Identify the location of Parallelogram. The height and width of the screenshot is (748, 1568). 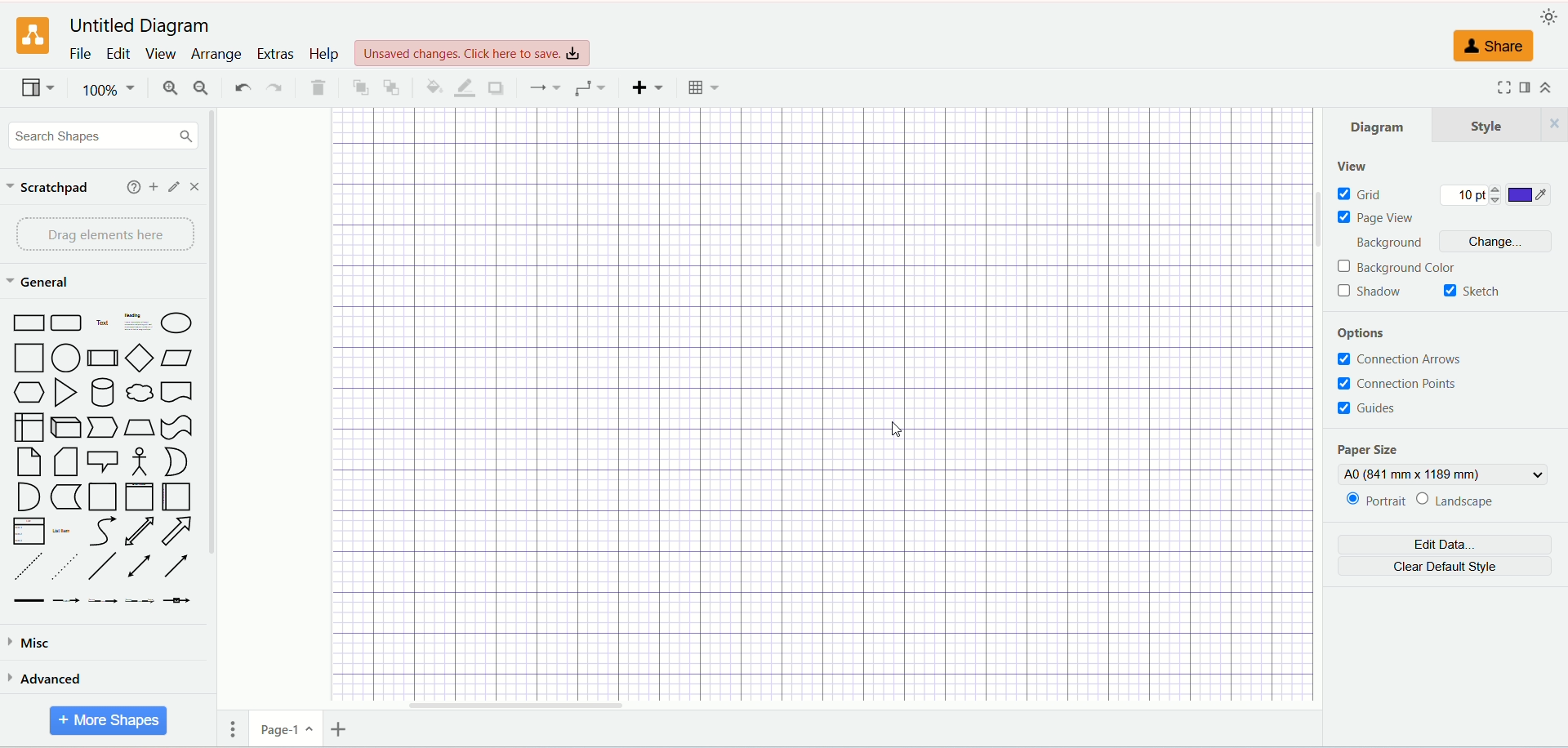
(178, 359).